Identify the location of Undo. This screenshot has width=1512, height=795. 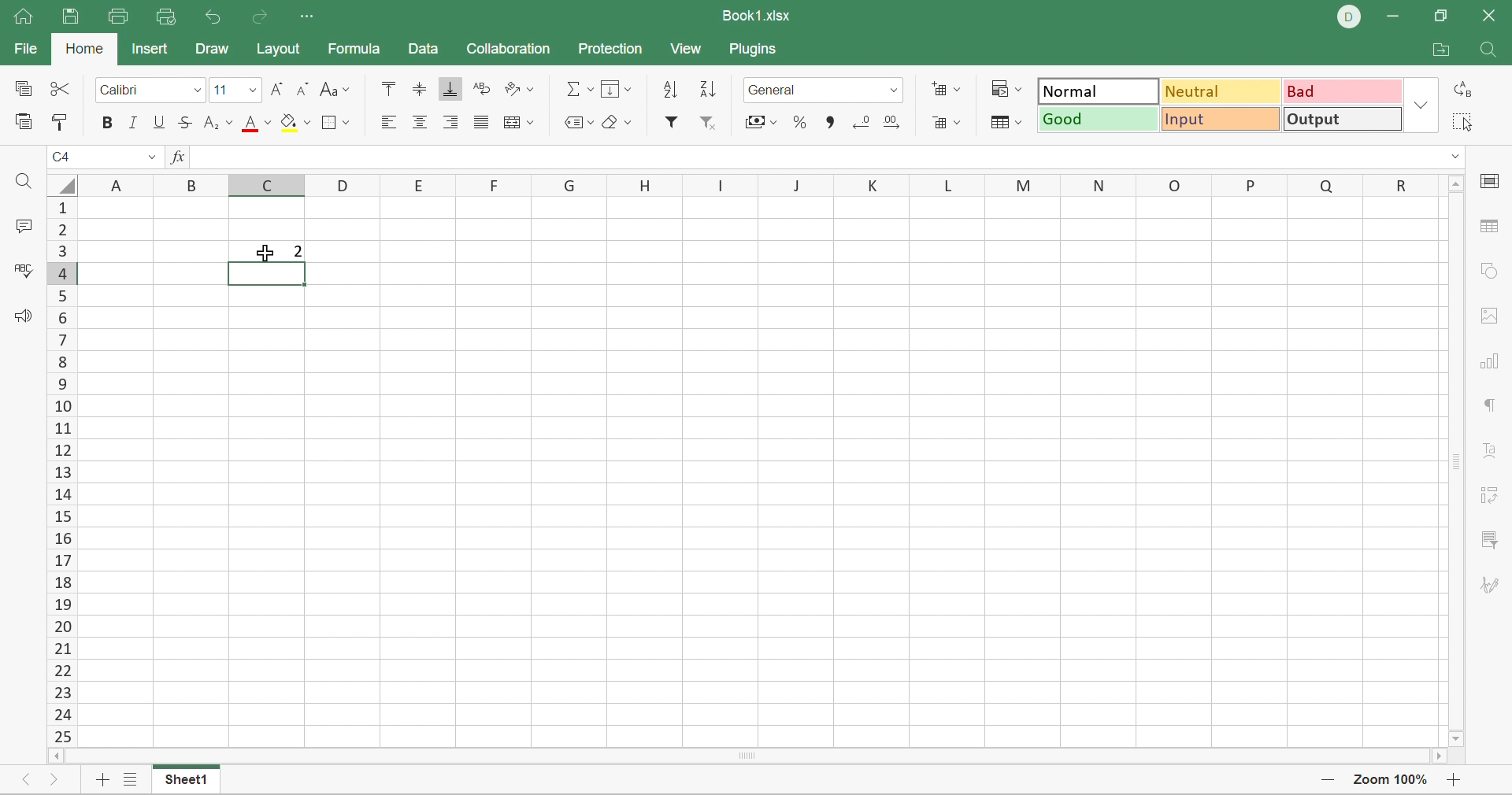
(216, 17).